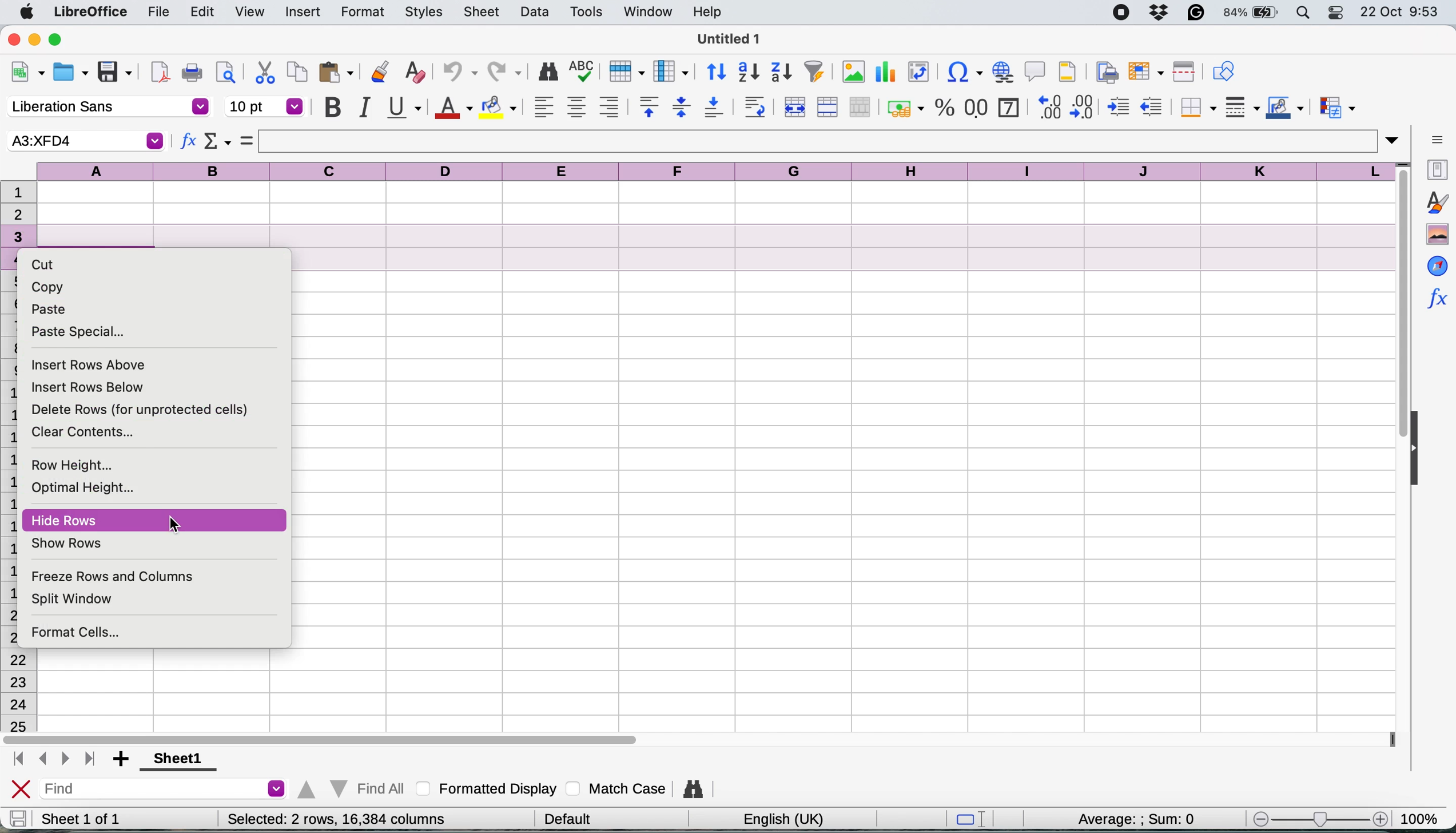 Image resolution: width=1456 pixels, height=833 pixels. Describe the element at coordinates (590, 11) in the screenshot. I see `tools` at that location.